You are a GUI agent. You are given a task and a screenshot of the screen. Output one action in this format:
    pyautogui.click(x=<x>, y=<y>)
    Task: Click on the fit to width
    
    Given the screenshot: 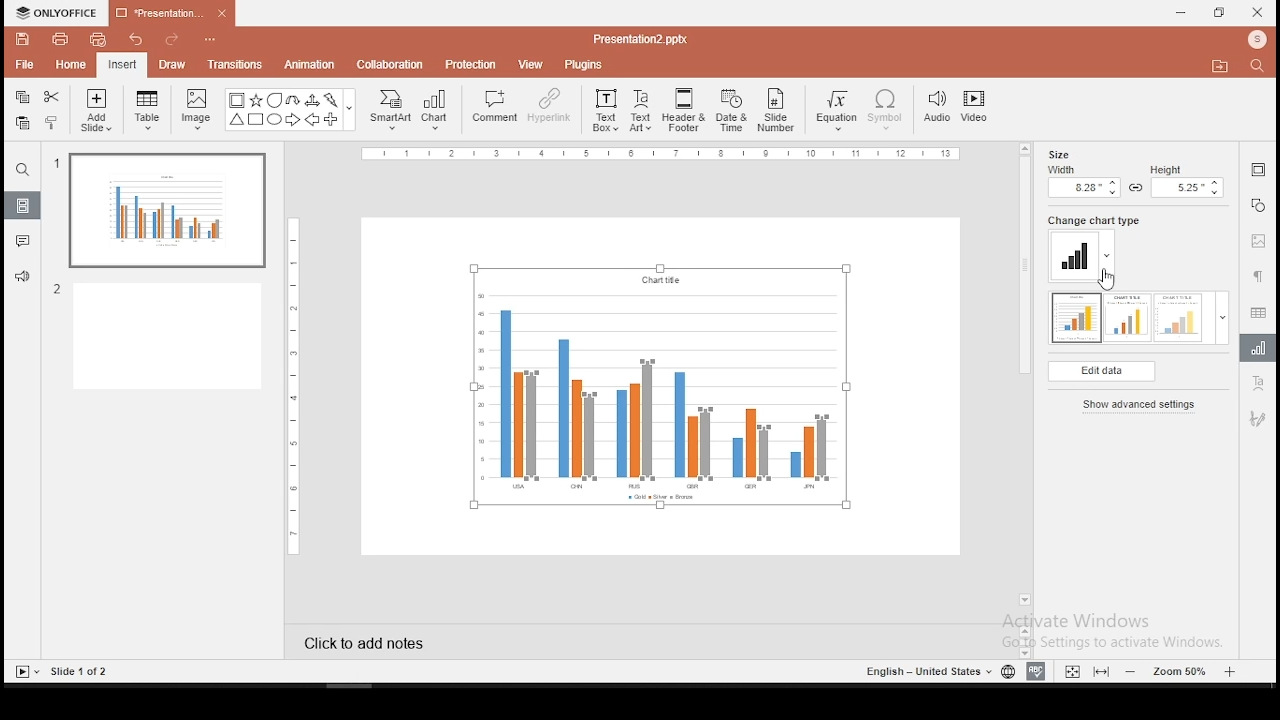 What is the action you would take?
    pyautogui.click(x=1104, y=671)
    